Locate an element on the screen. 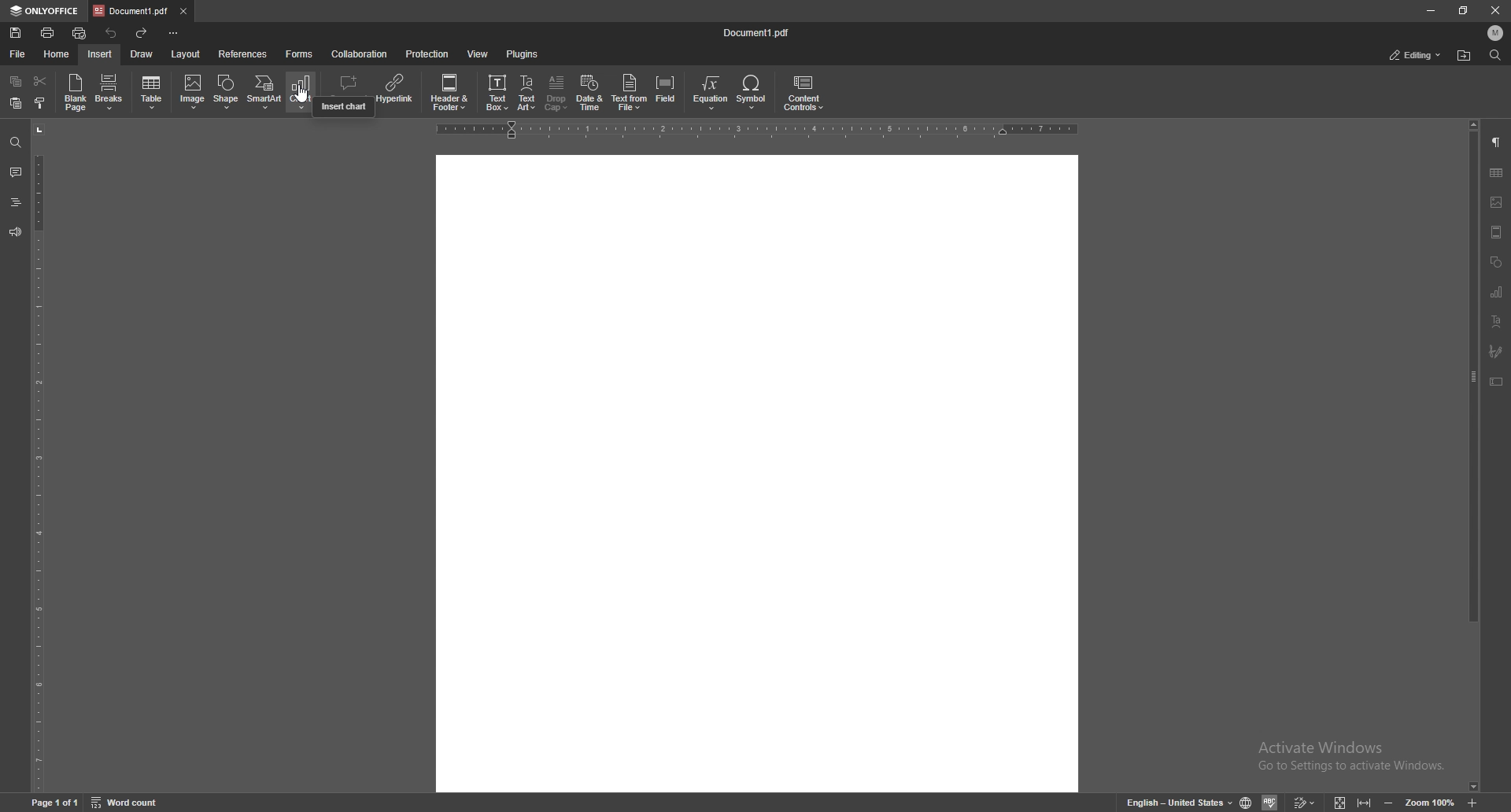 The image size is (1511, 812). date and time is located at coordinates (452, 92).